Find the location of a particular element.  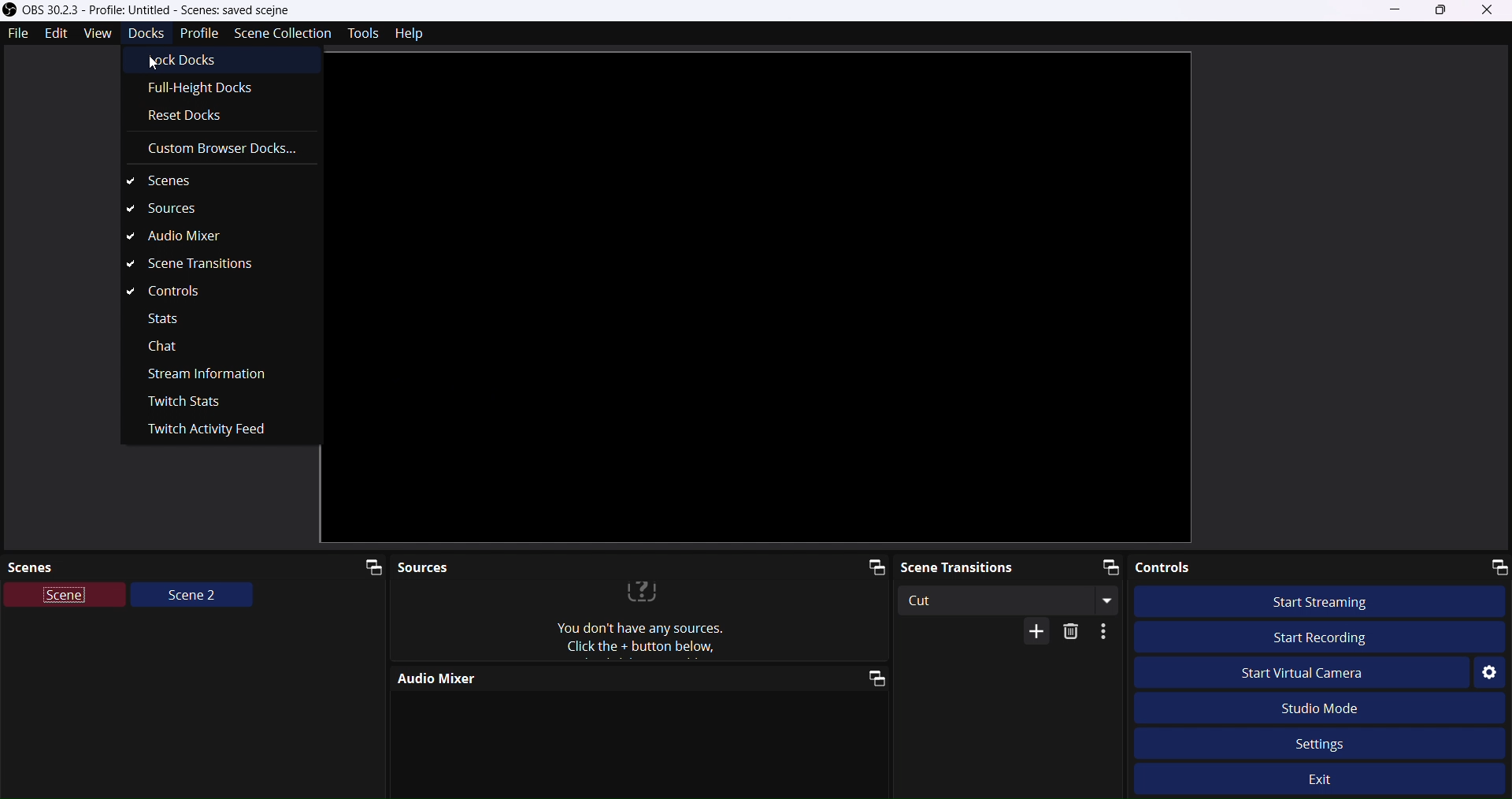

OBS studio logo is located at coordinates (9, 9).